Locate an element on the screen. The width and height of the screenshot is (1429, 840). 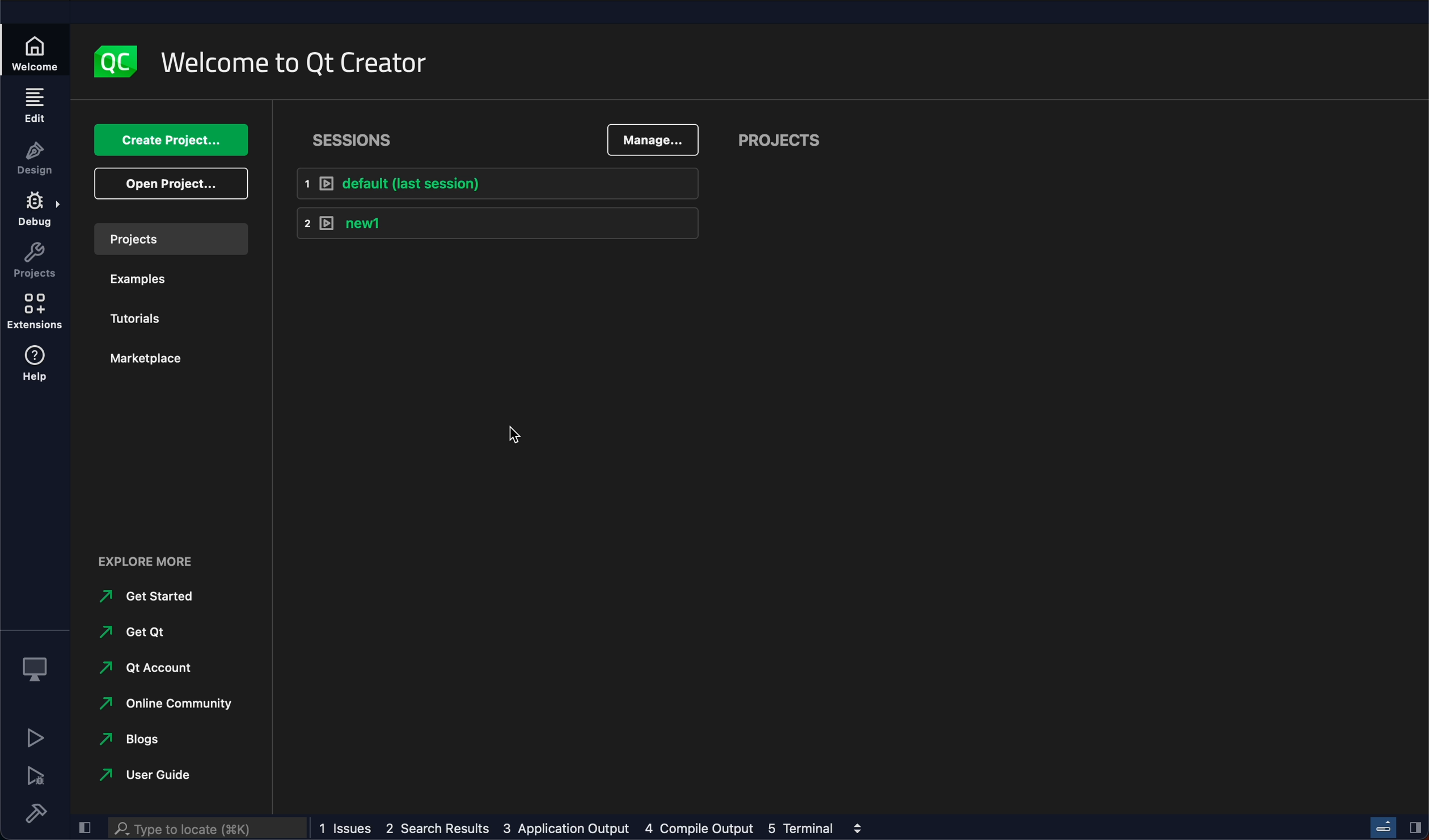
online is located at coordinates (160, 705).